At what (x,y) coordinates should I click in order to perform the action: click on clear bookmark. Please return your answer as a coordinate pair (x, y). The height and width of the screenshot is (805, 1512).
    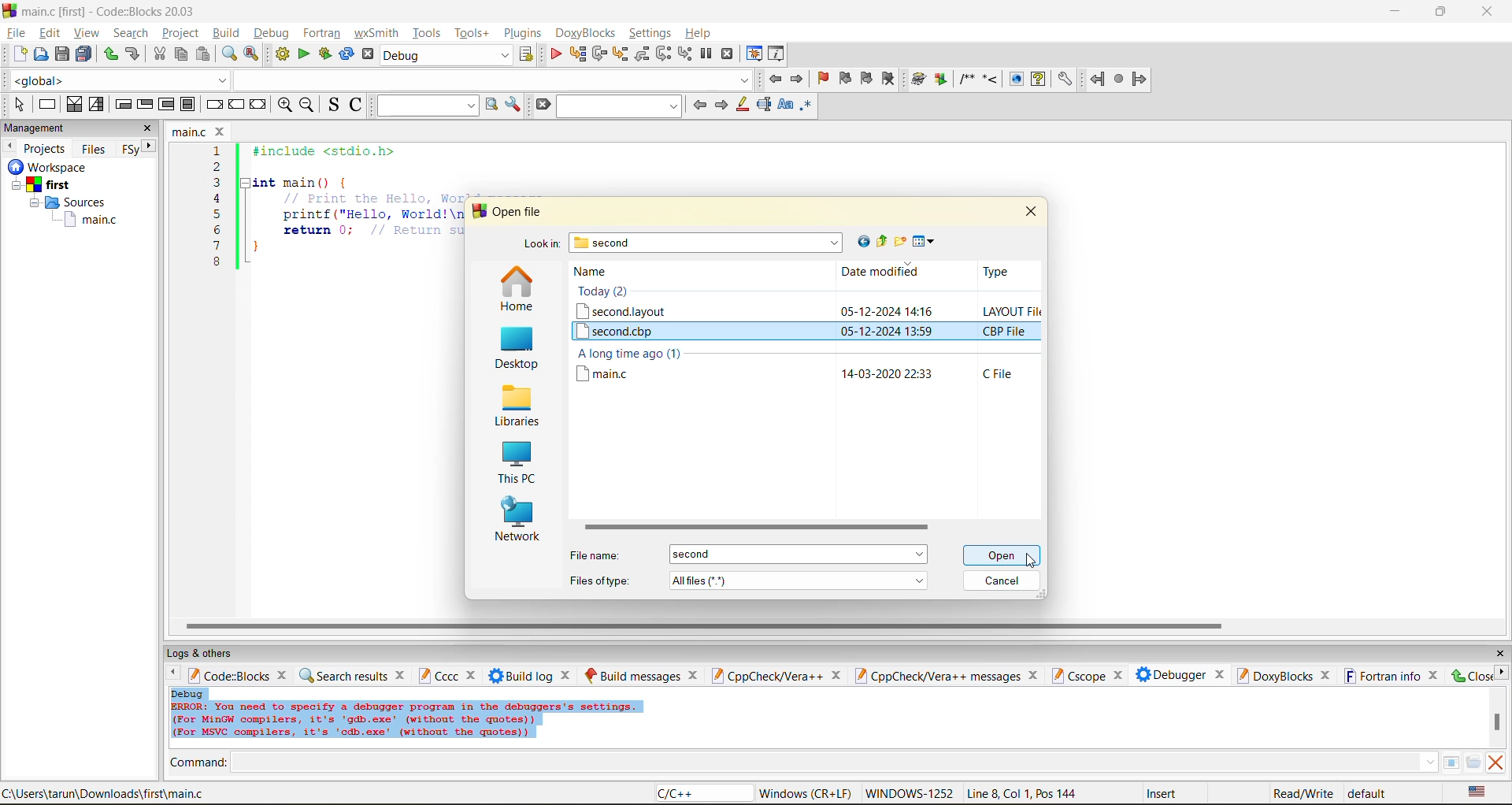
    Looking at the image, I should click on (888, 78).